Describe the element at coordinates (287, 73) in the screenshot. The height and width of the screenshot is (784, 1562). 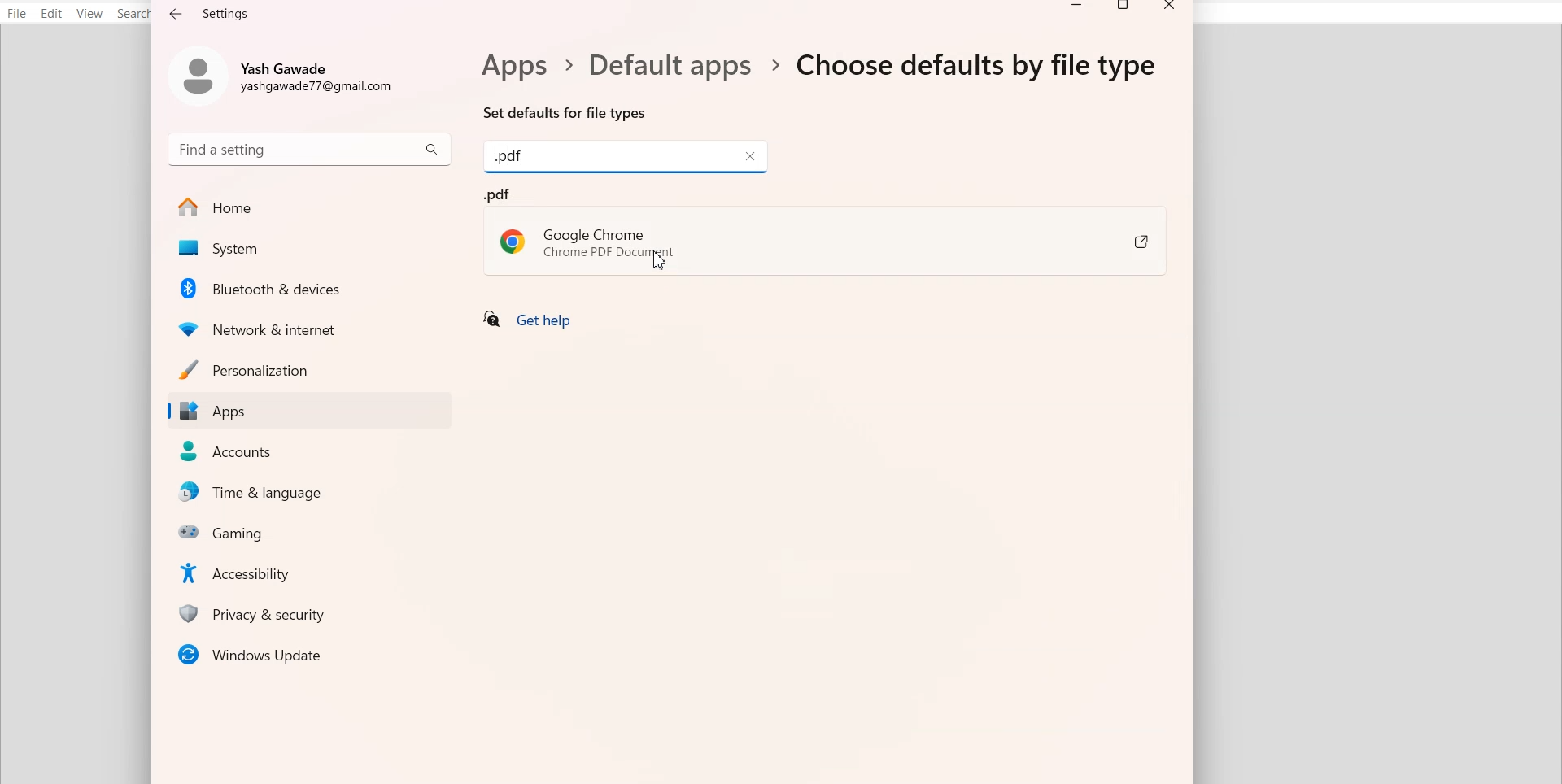
I see `Account` at that location.